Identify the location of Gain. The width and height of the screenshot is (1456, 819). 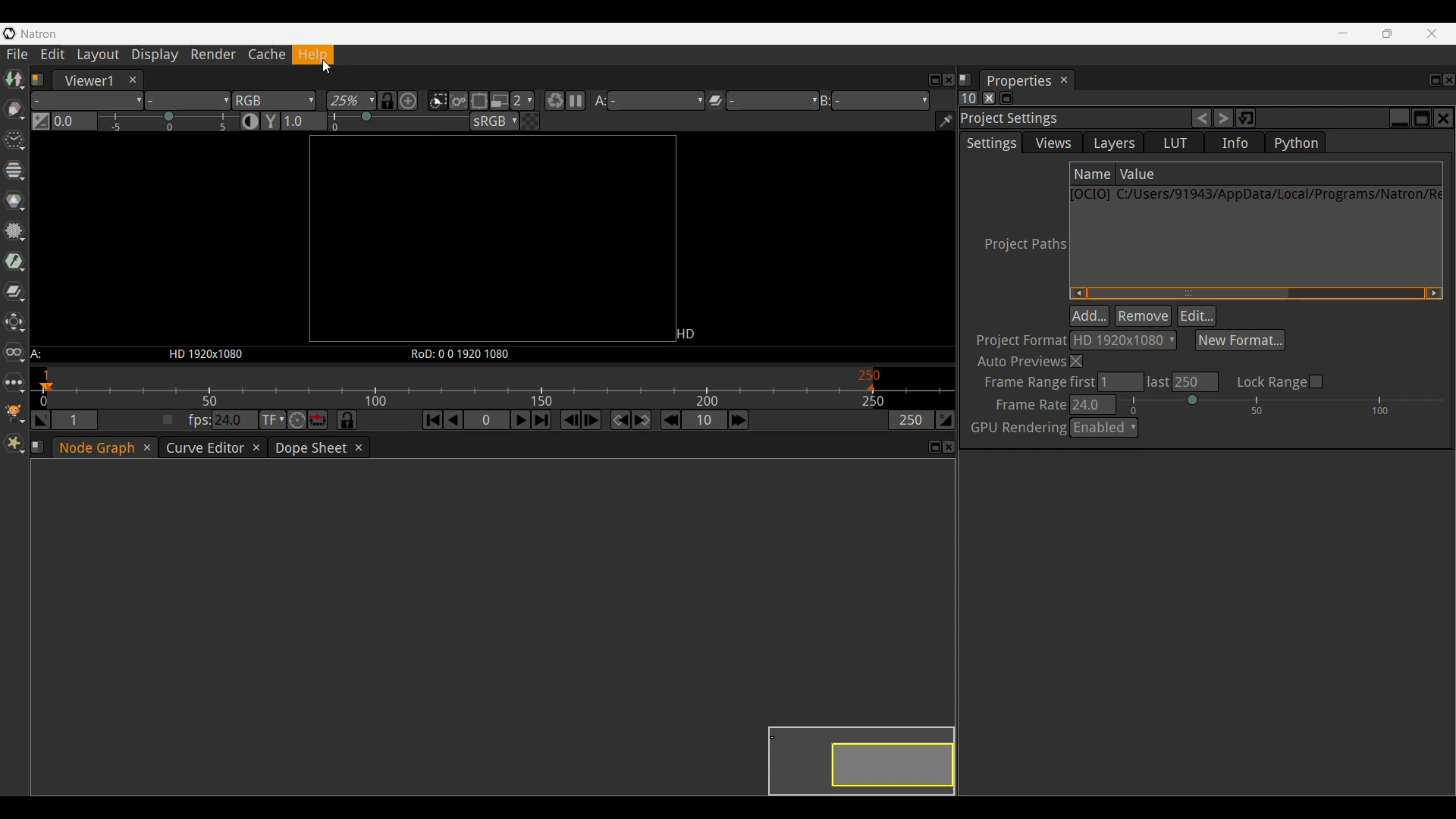
(168, 119).